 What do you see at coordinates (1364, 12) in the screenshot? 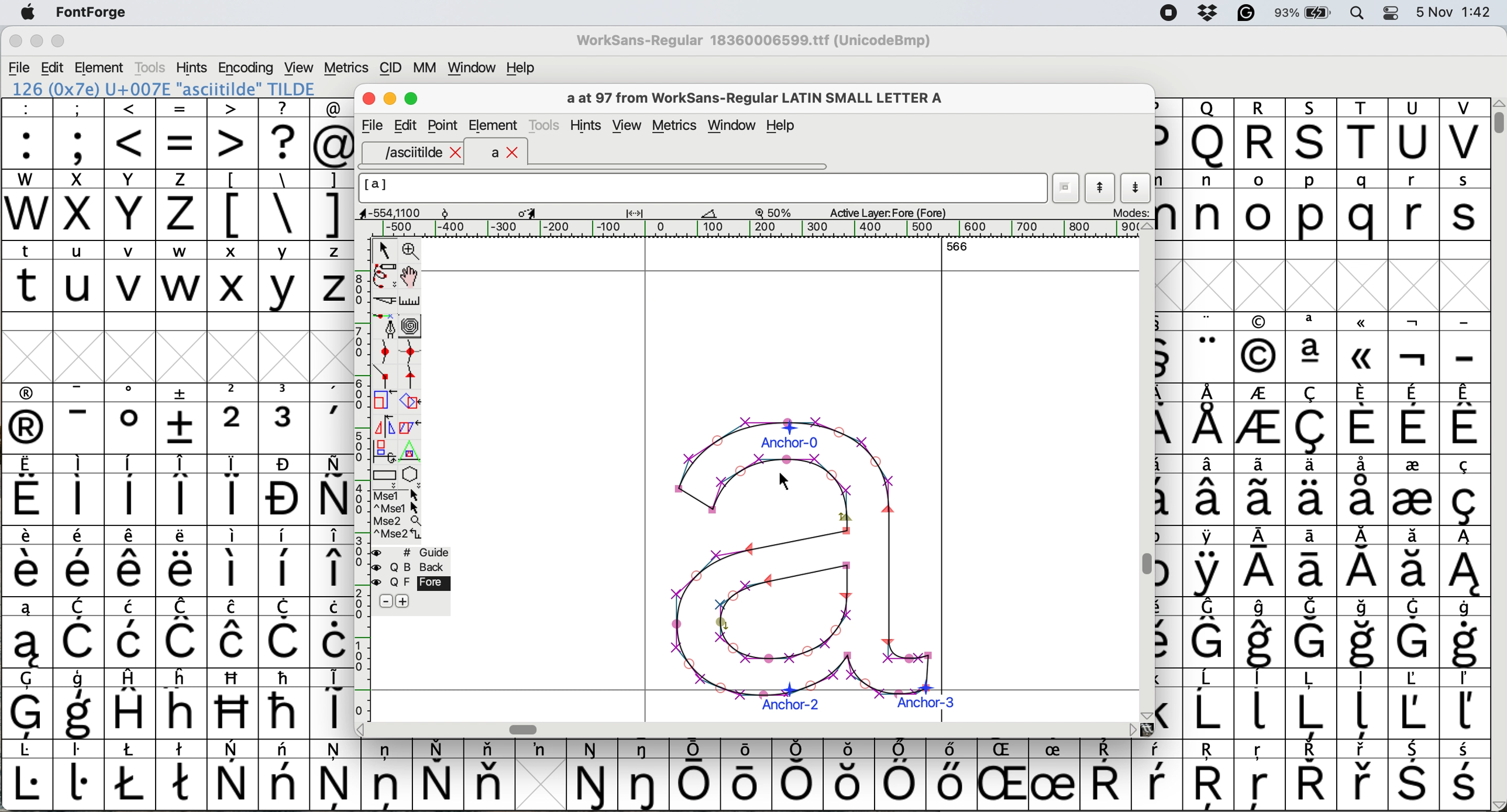
I see `spotlight search` at bounding box center [1364, 12].